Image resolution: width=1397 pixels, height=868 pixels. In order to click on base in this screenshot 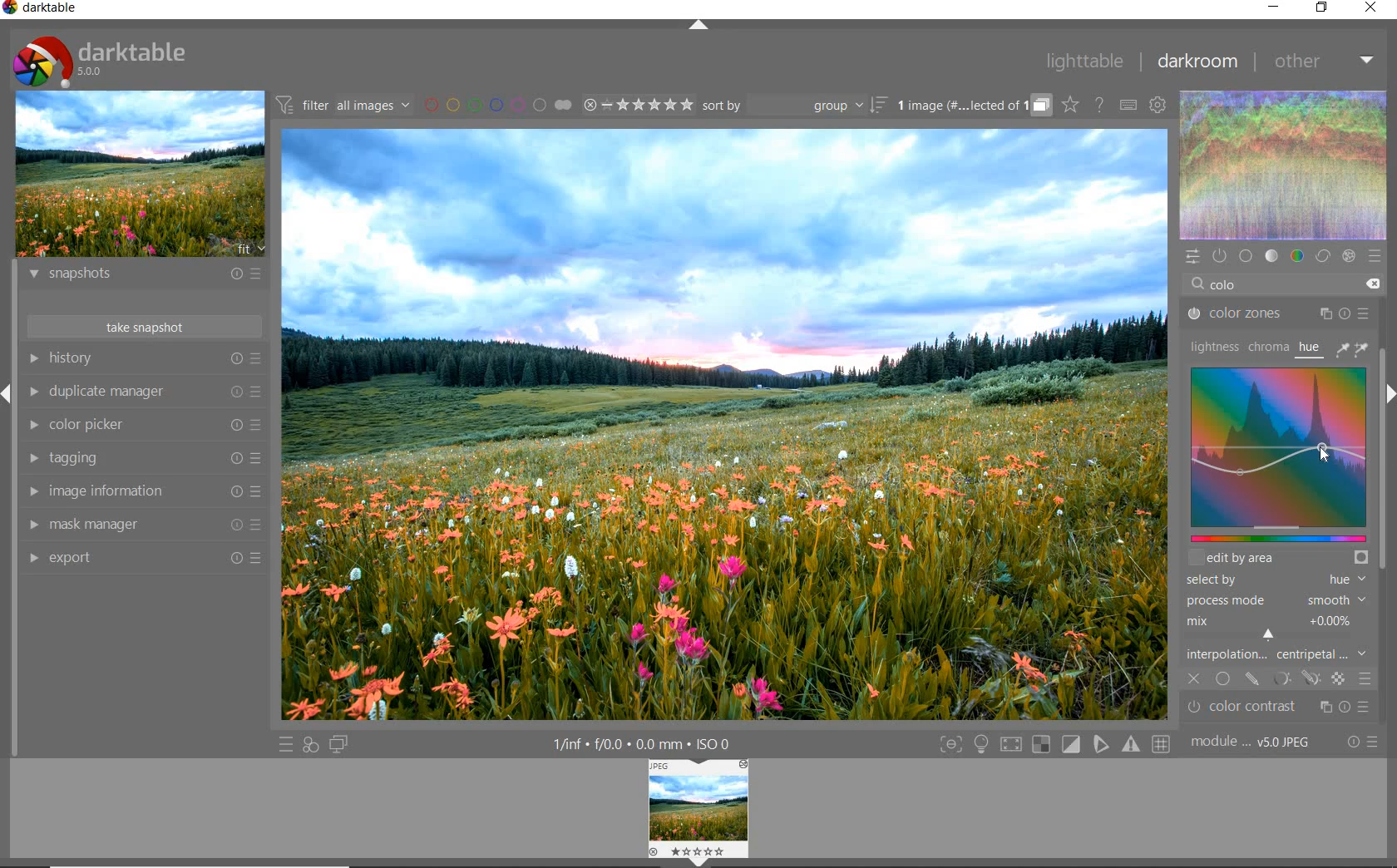, I will do `click(1246, 256)`.